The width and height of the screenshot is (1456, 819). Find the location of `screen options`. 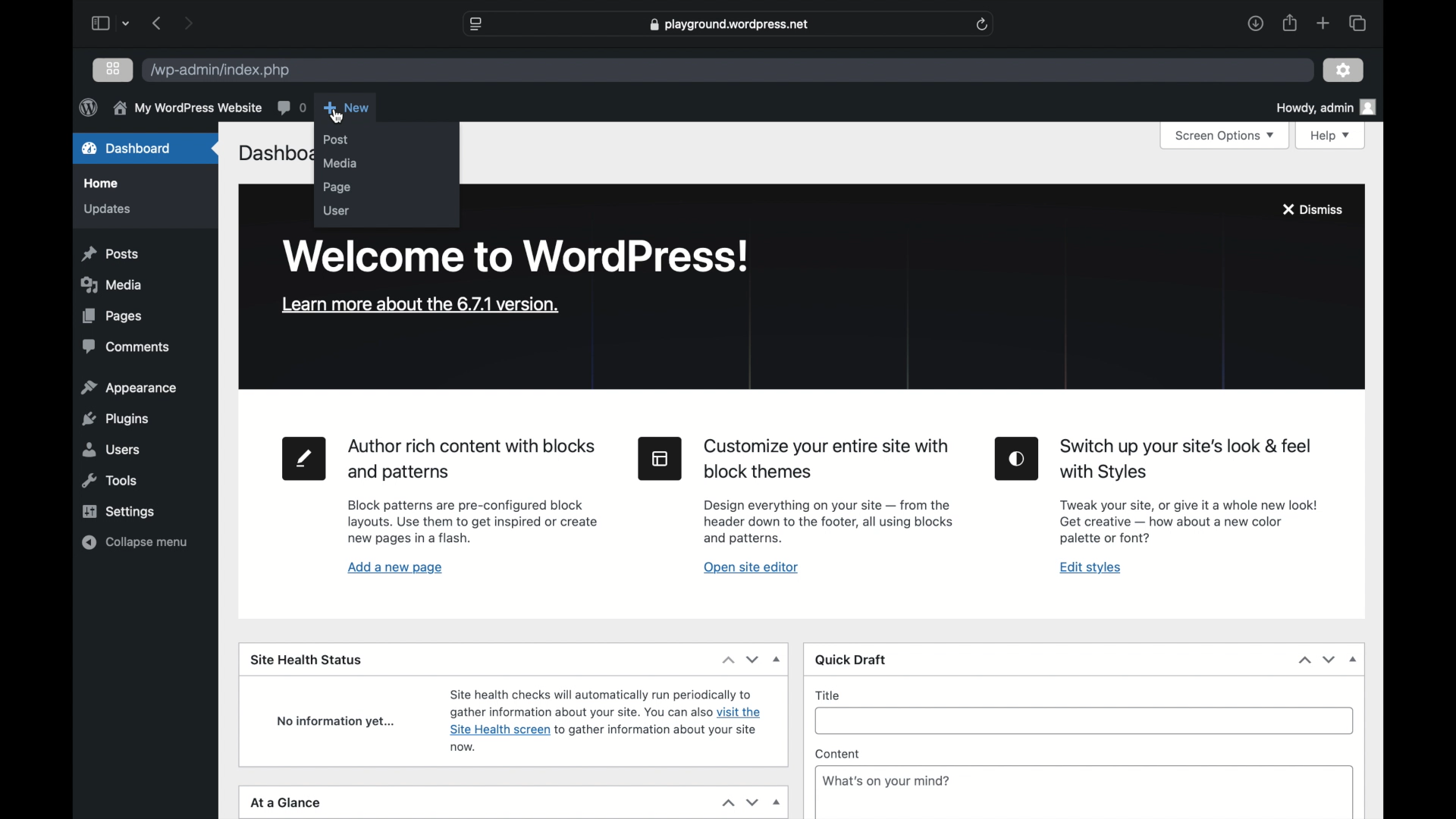

screen options is located at coordinates (1223, 136).